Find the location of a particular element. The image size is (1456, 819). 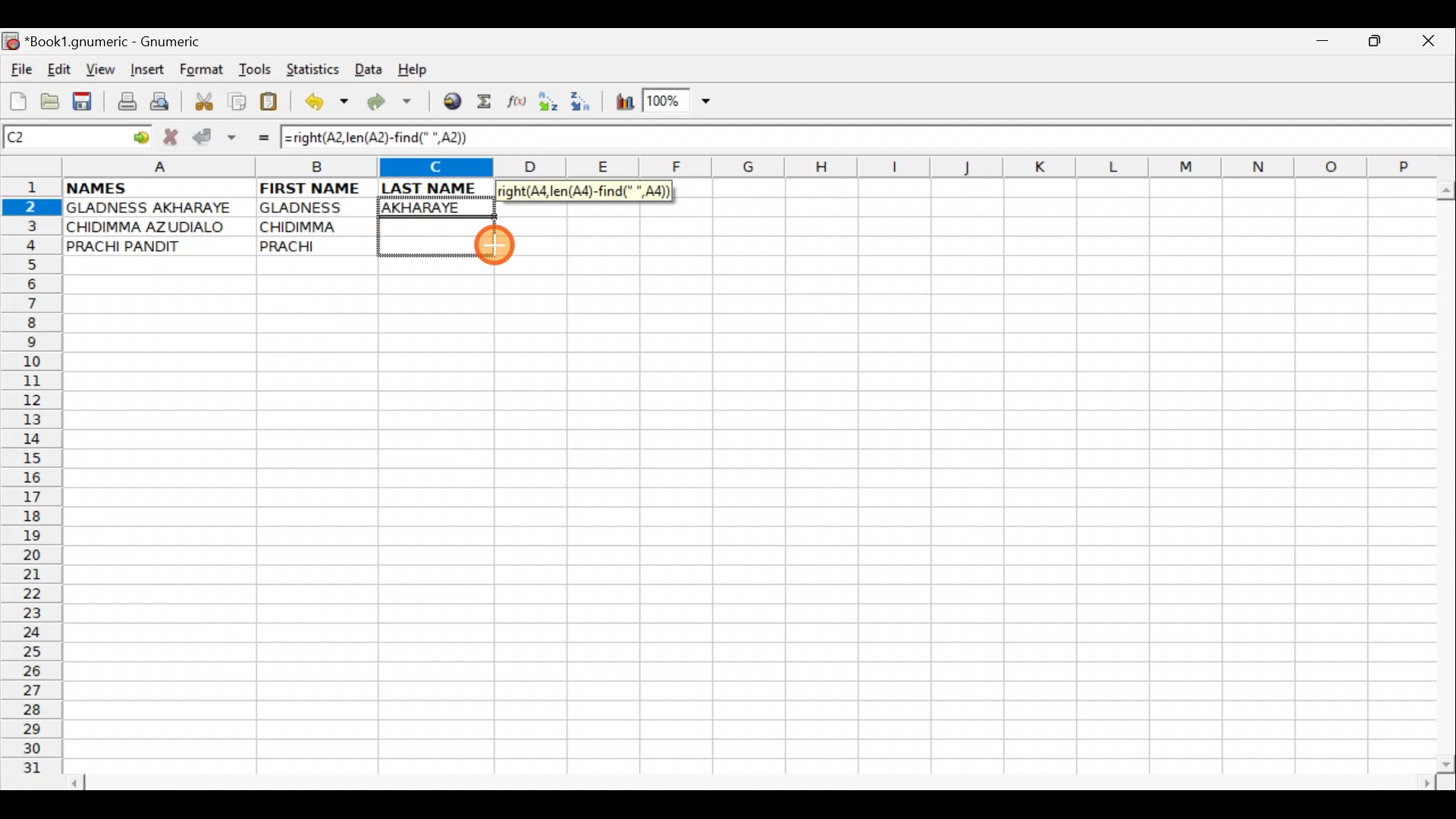

Edit is located at coordinates (58, 69).